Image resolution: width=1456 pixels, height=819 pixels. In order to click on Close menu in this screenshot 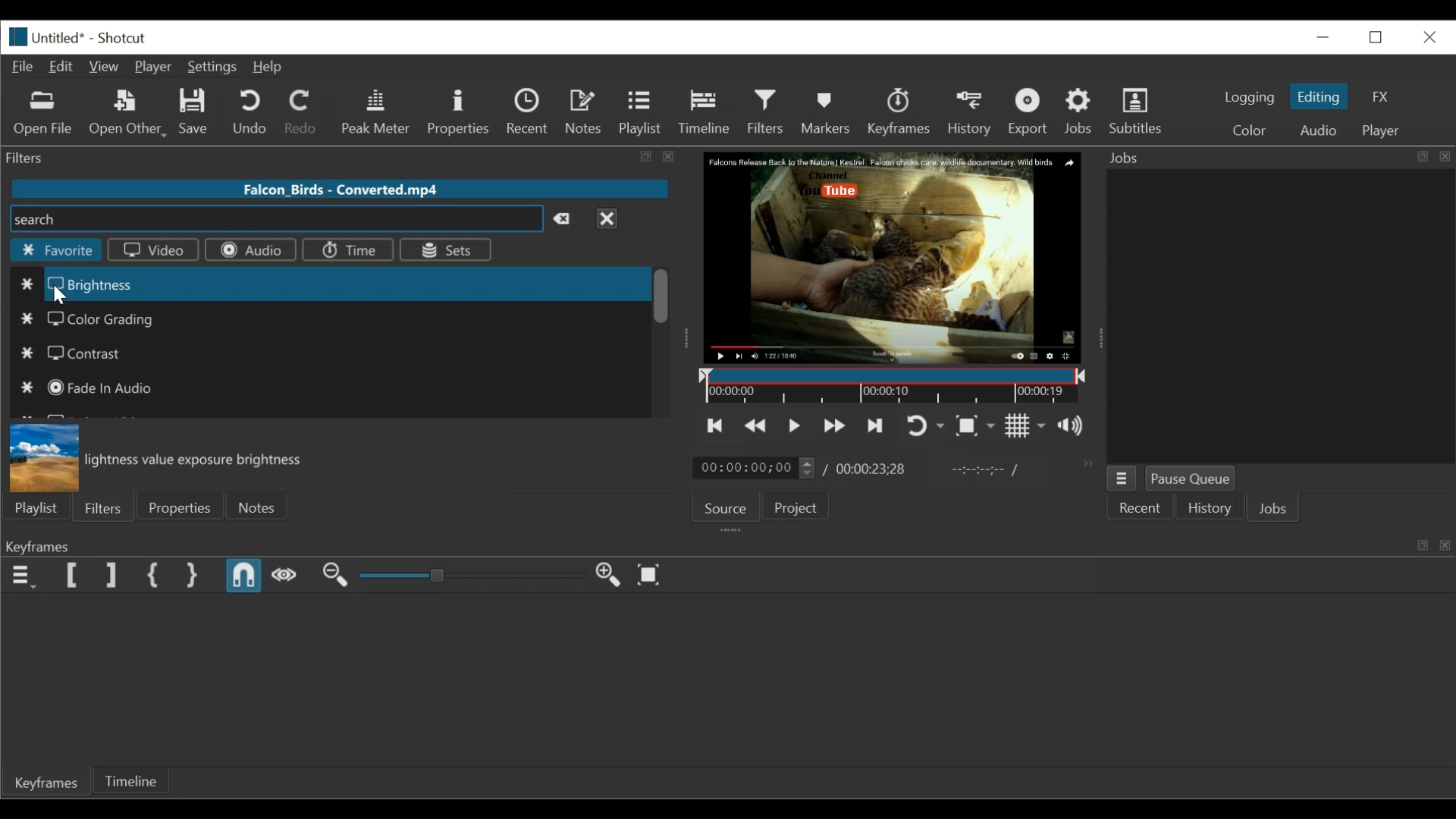, I will do `click(608, 219)`.